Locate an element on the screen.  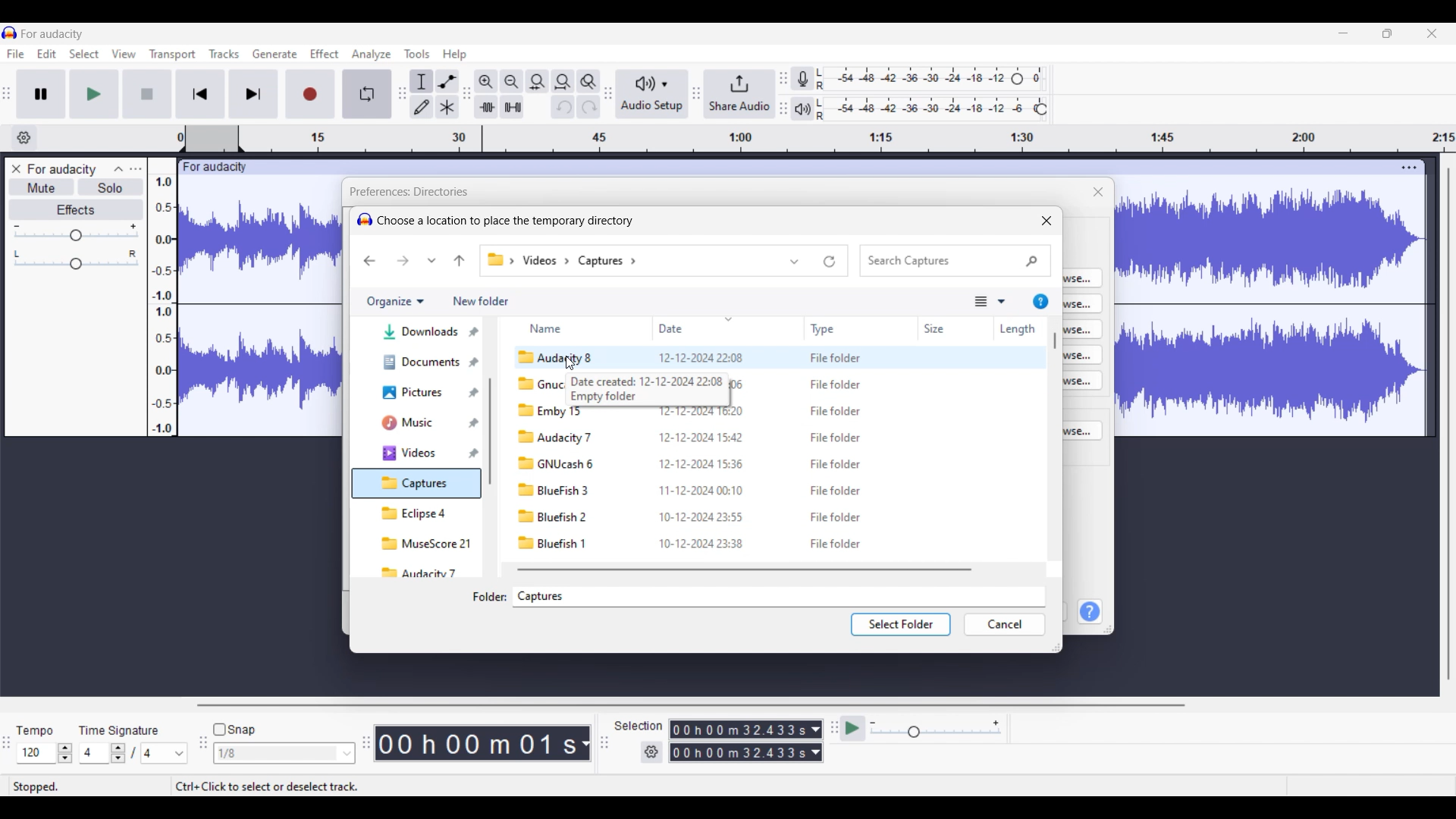
View menu is located at coordinates (124, 54).